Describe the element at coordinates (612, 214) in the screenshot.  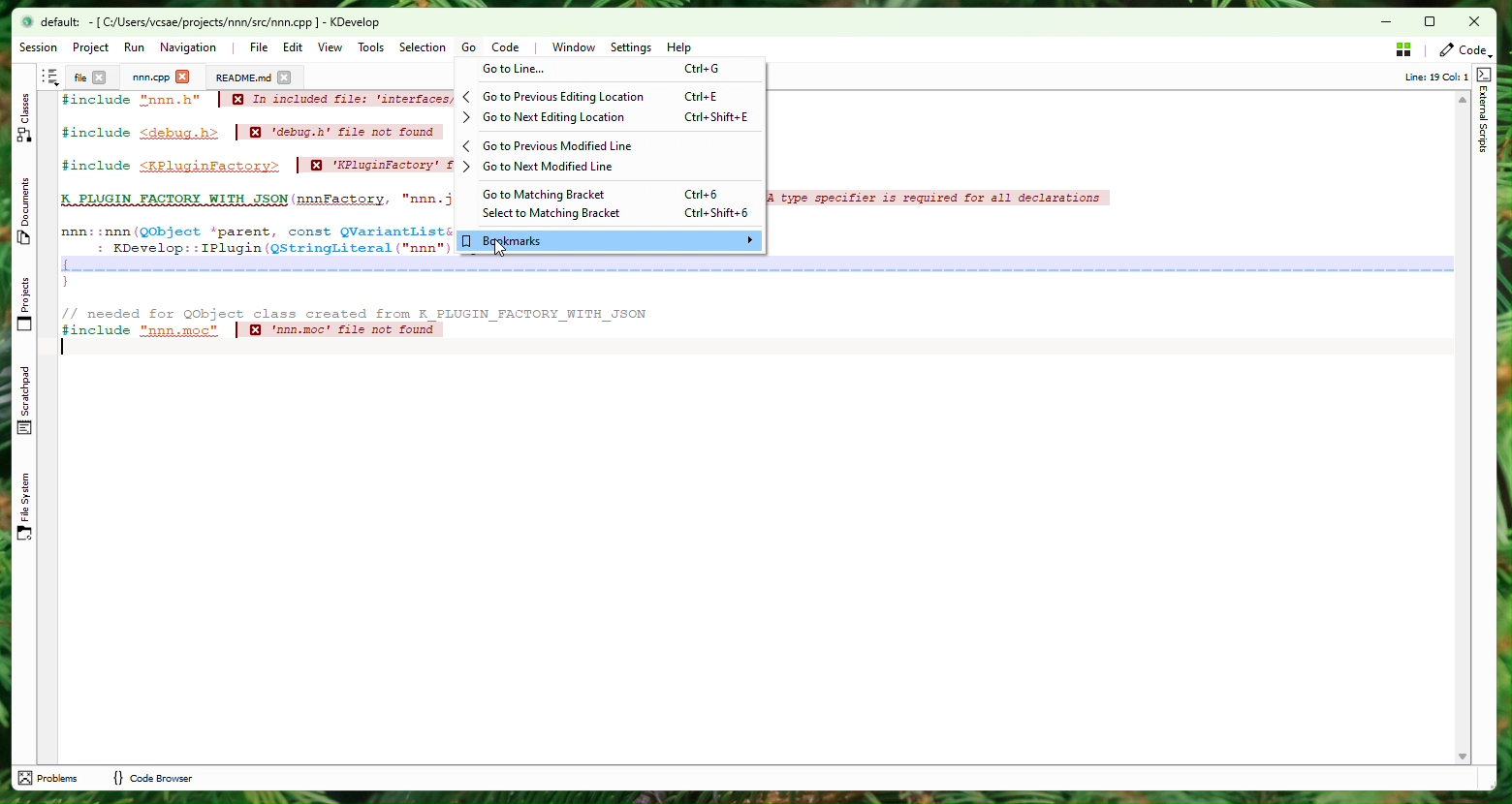
I see `Select to matching bracket` at that location.